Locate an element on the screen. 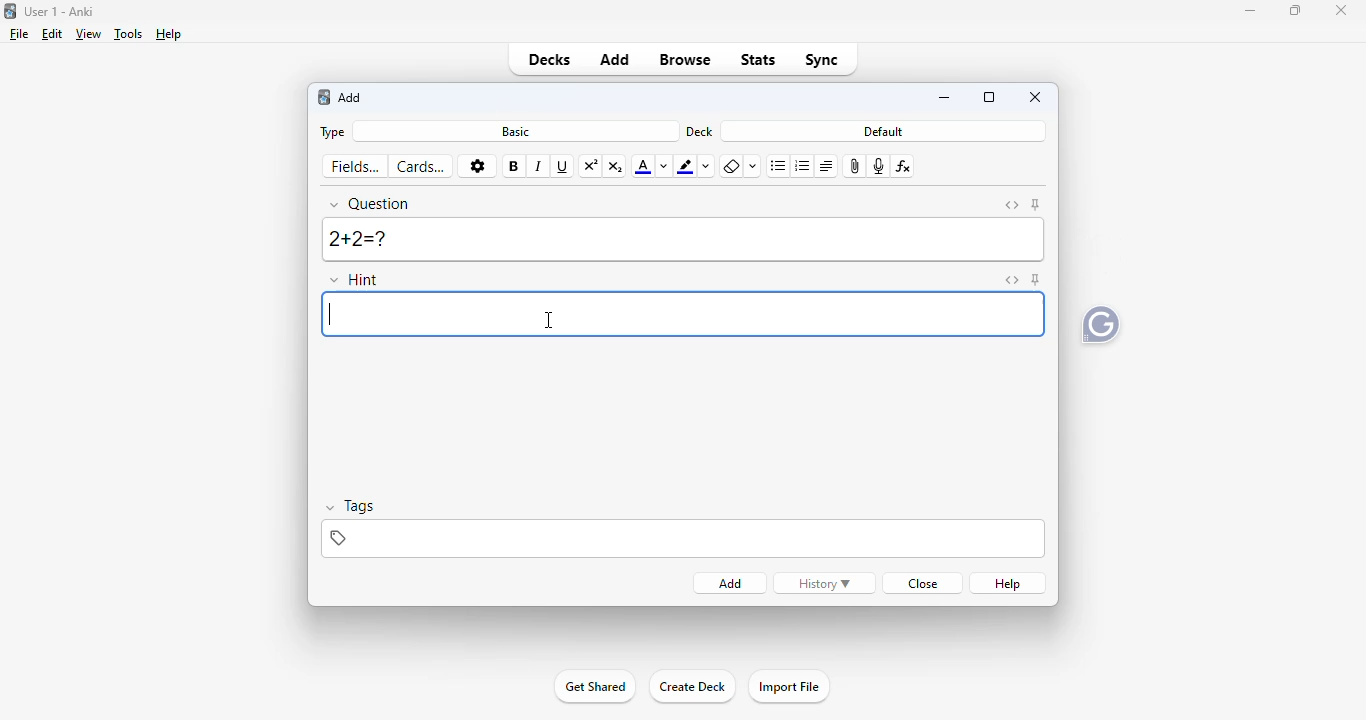 This screenshot has height=720, width=1366. toggle sticky is located at coordinates (1036, 279).